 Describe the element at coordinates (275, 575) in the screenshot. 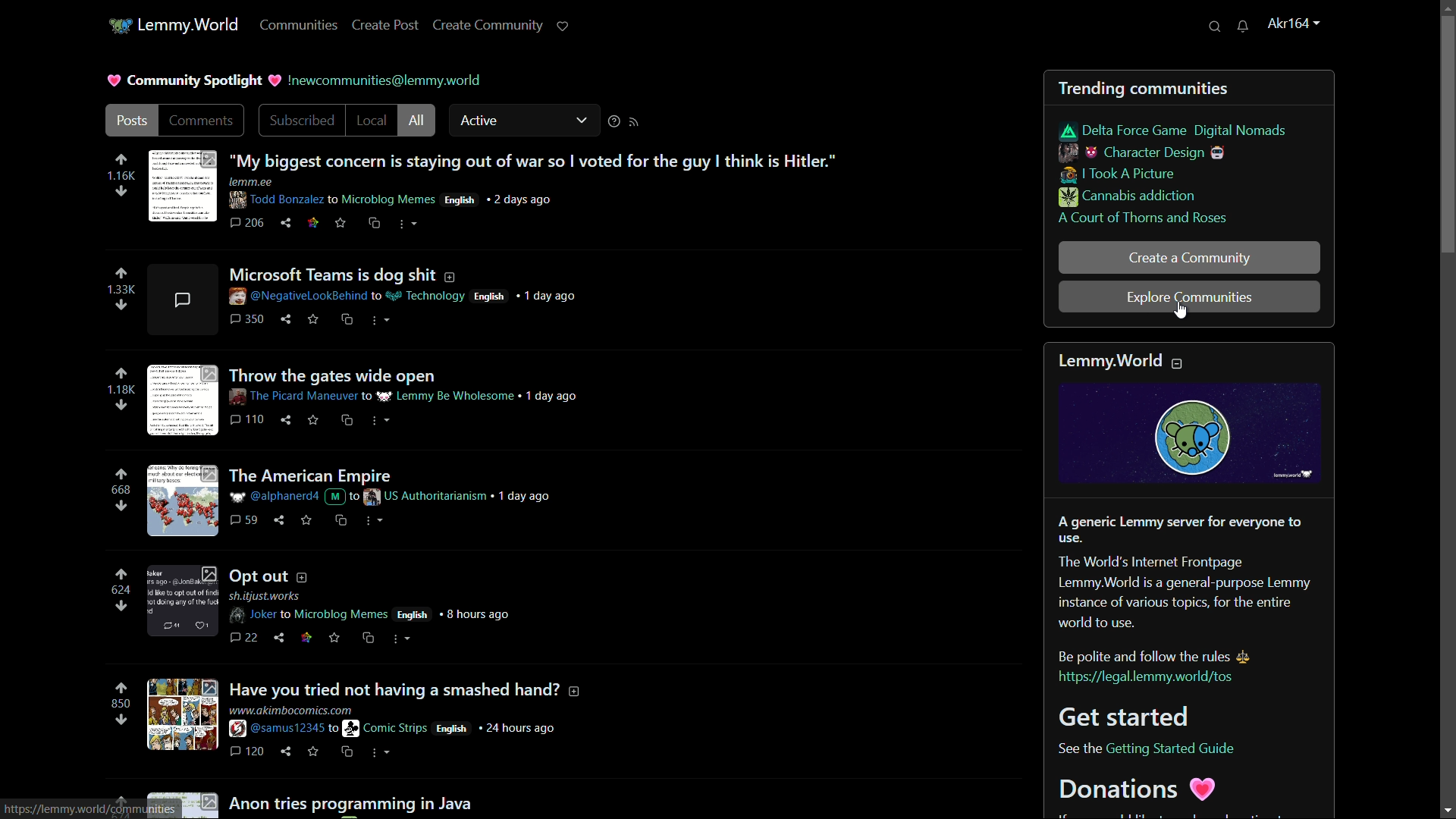

I see `post-5` at that location.